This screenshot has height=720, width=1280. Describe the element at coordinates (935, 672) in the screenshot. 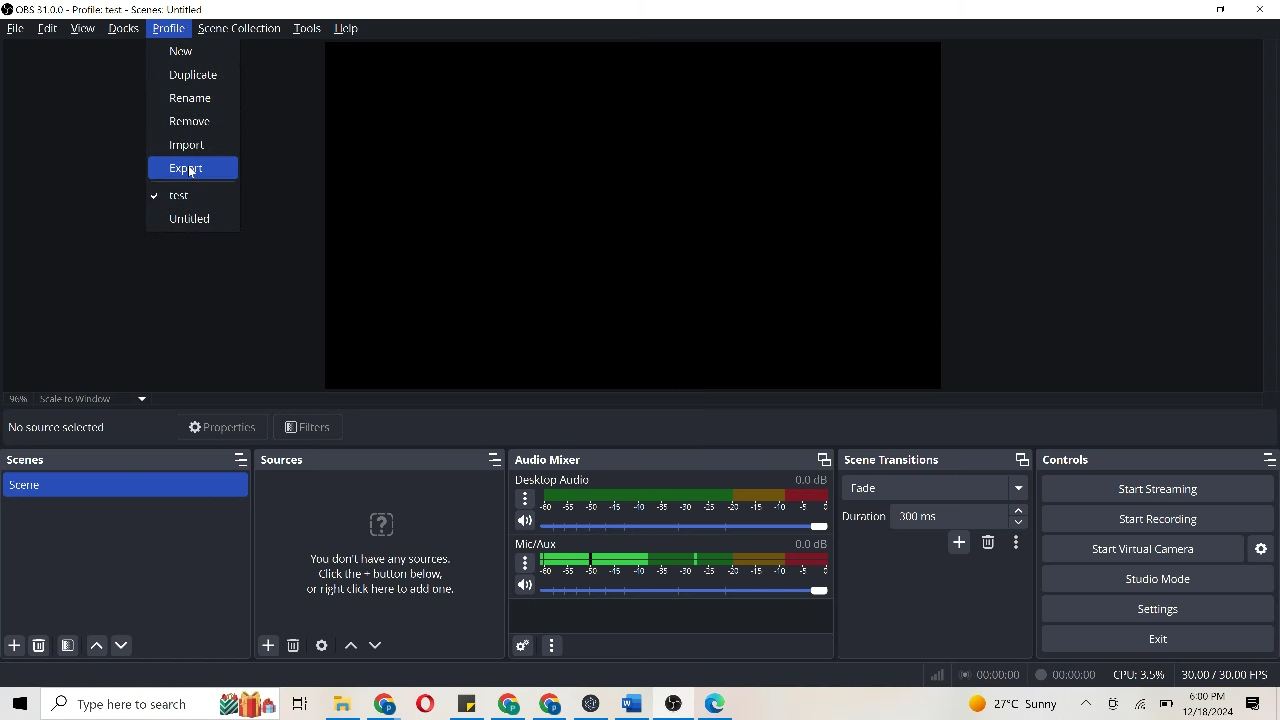

I see `signal` at that location.